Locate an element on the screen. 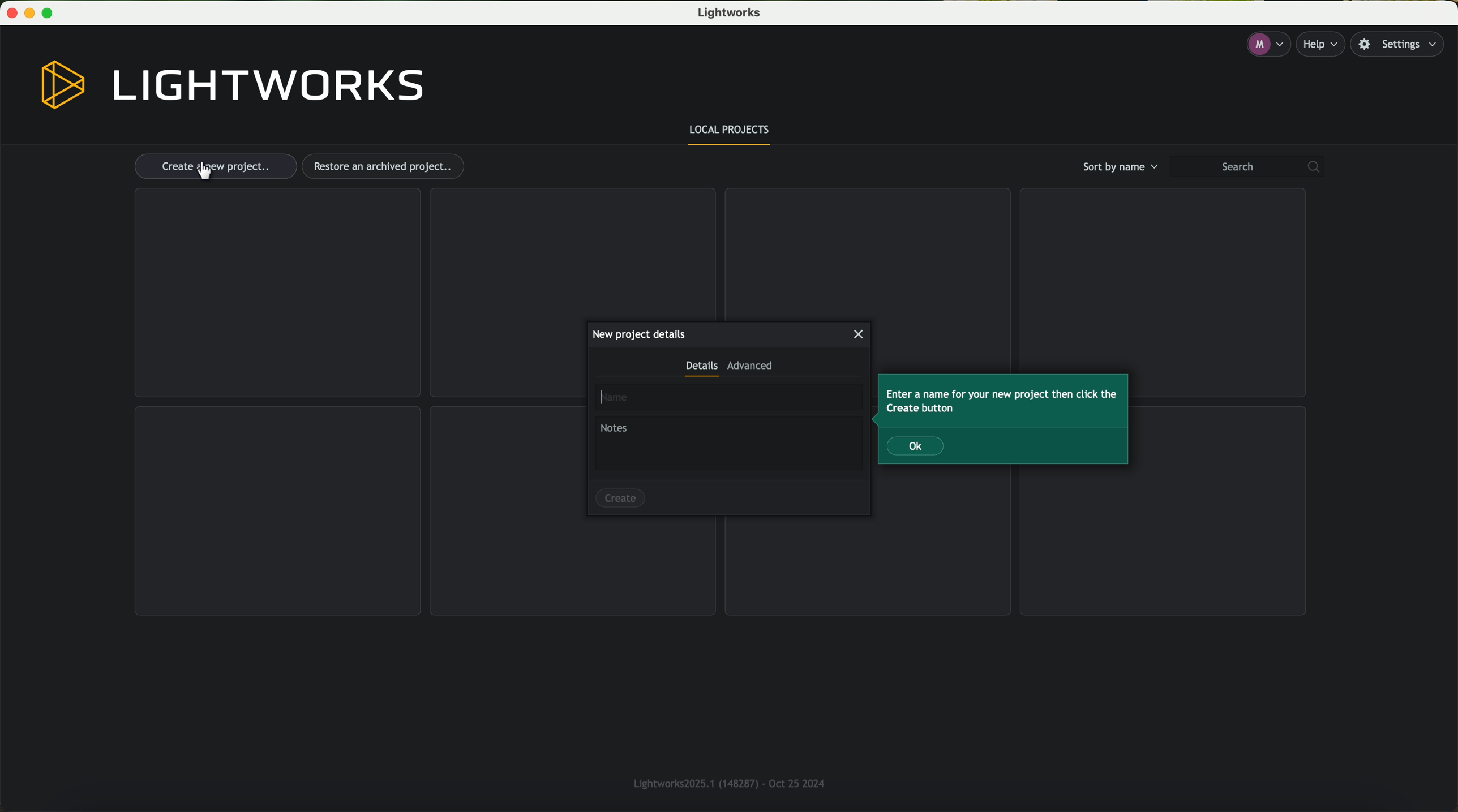  OK button is located at coordinates (916, 446).